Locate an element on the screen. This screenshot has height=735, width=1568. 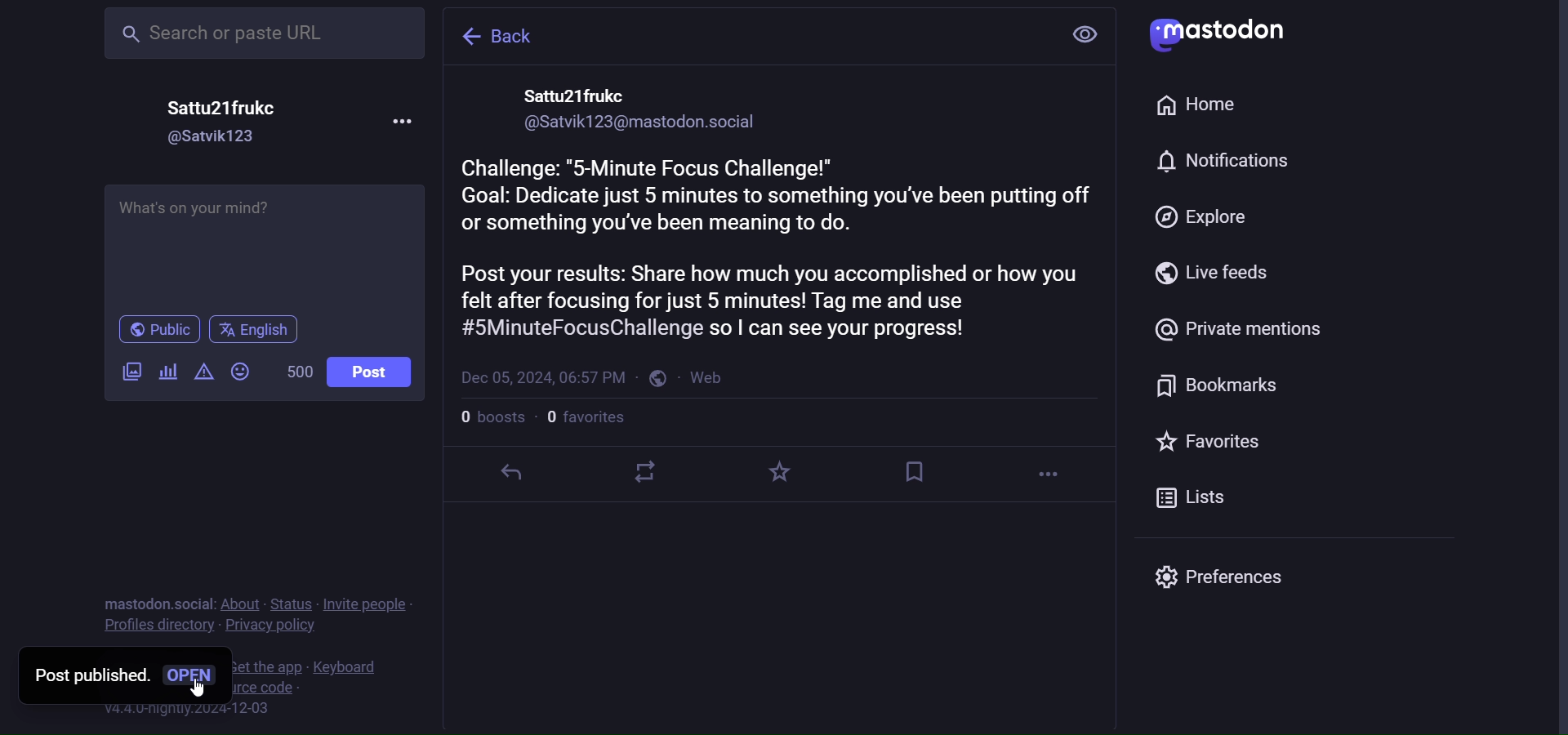
name is located at coordinates (224, 102).